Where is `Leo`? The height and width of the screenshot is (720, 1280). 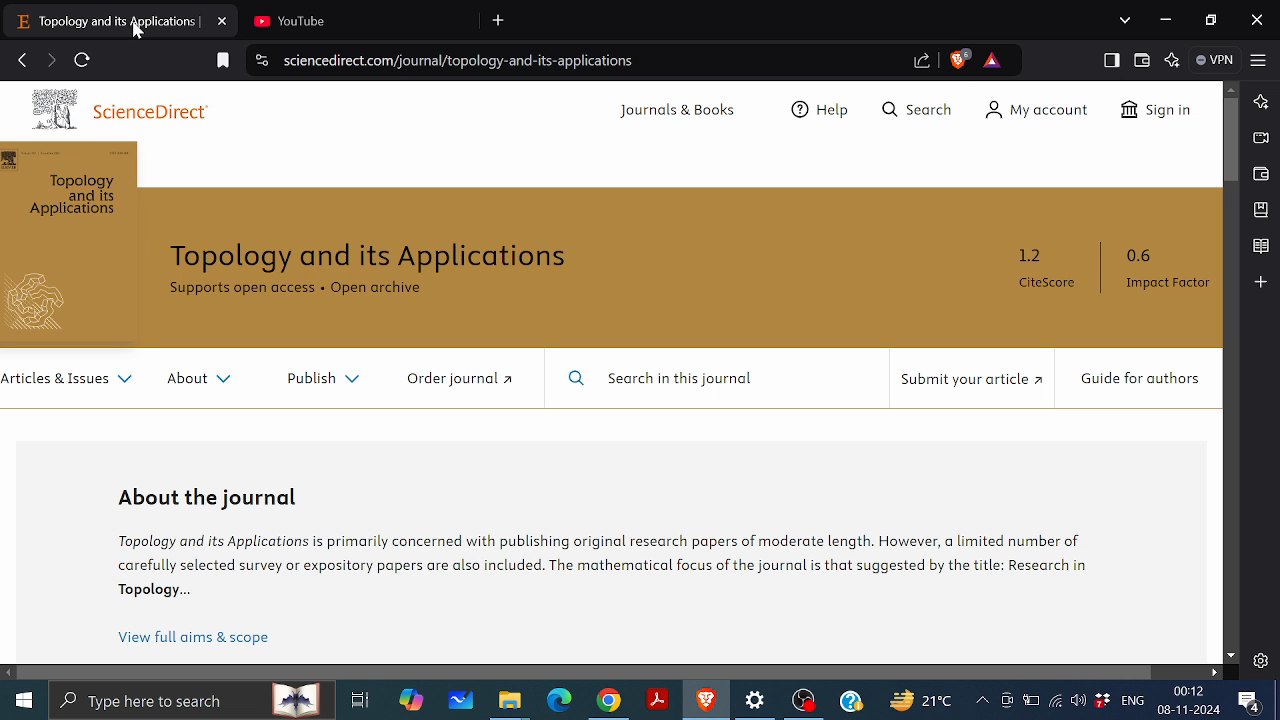 Leo is located at coordinates (1262, 100).